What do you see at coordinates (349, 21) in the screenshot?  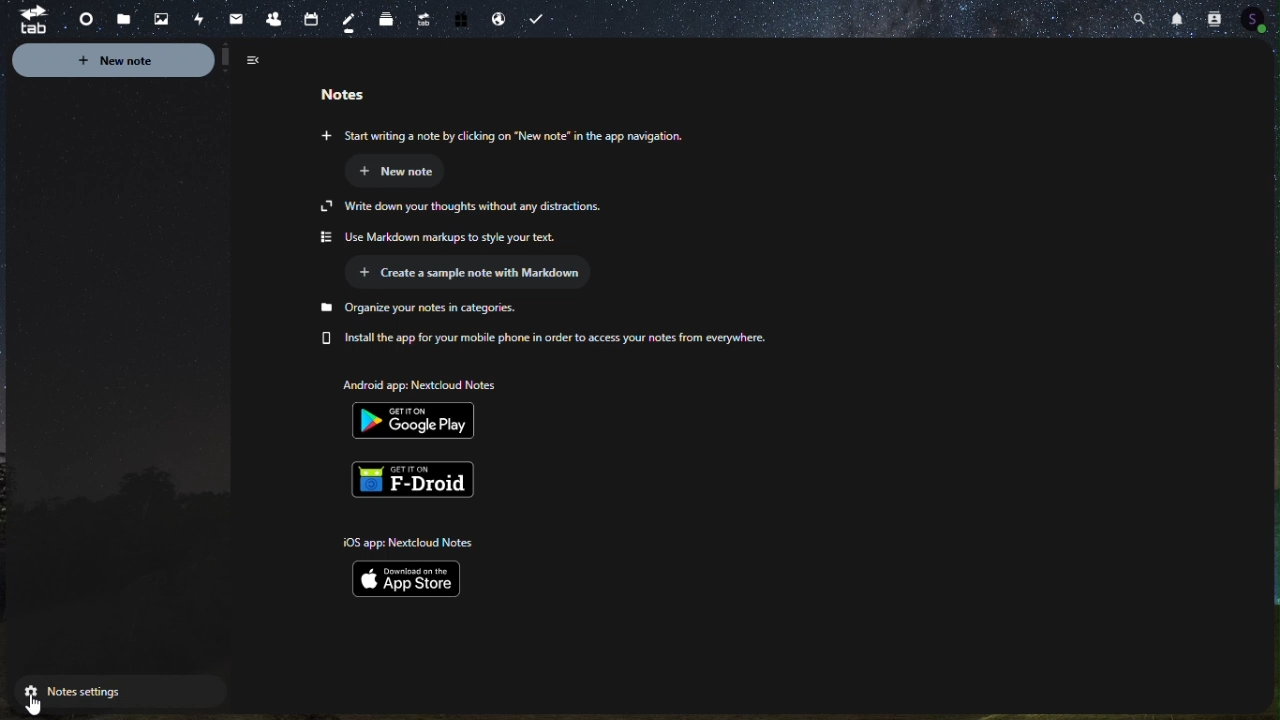 I see `Notes` at bounding box center [349, 21].